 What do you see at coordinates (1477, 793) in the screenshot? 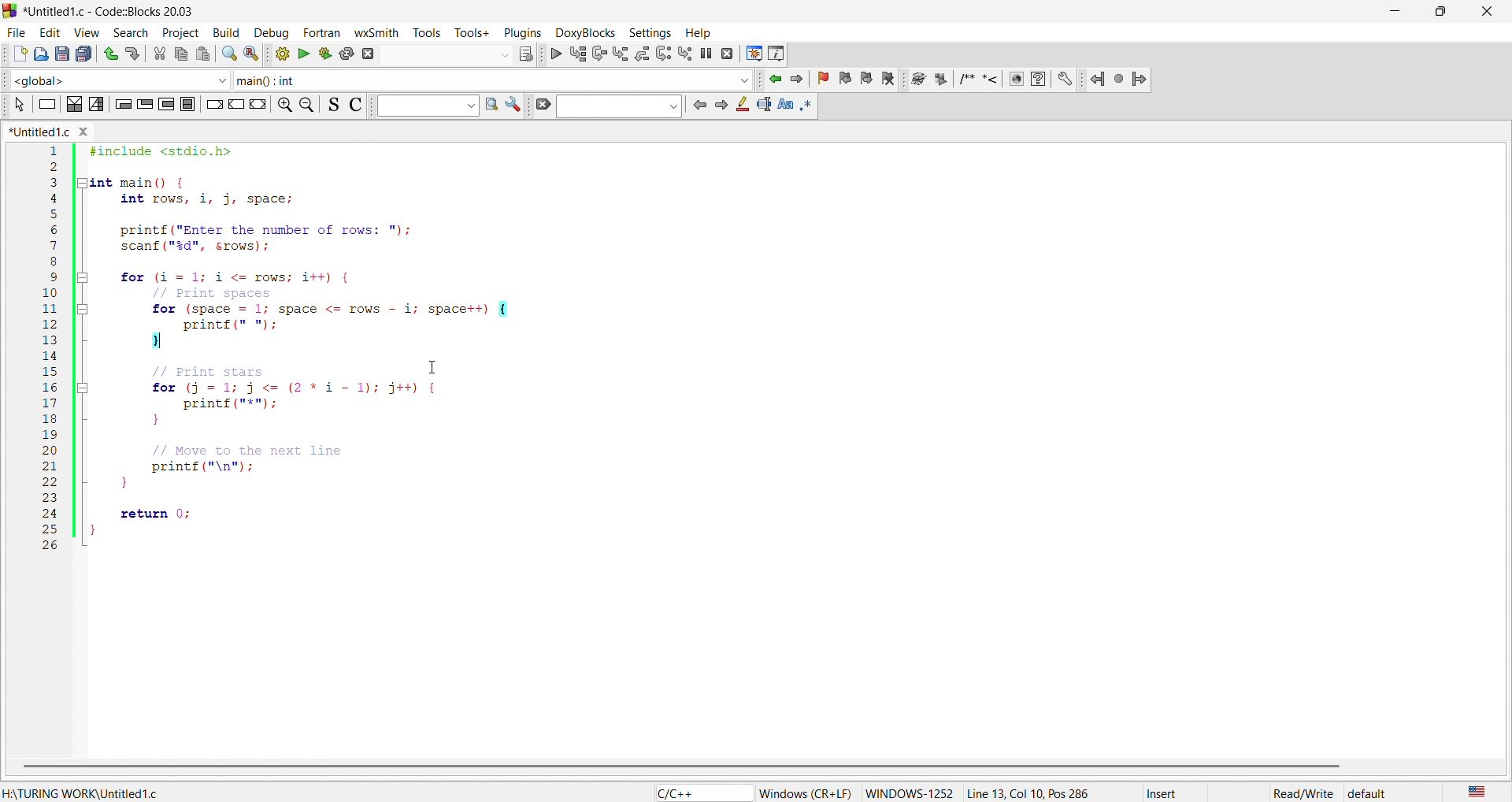
I see `LANGUAGE` at bounding box center [1477, 793].